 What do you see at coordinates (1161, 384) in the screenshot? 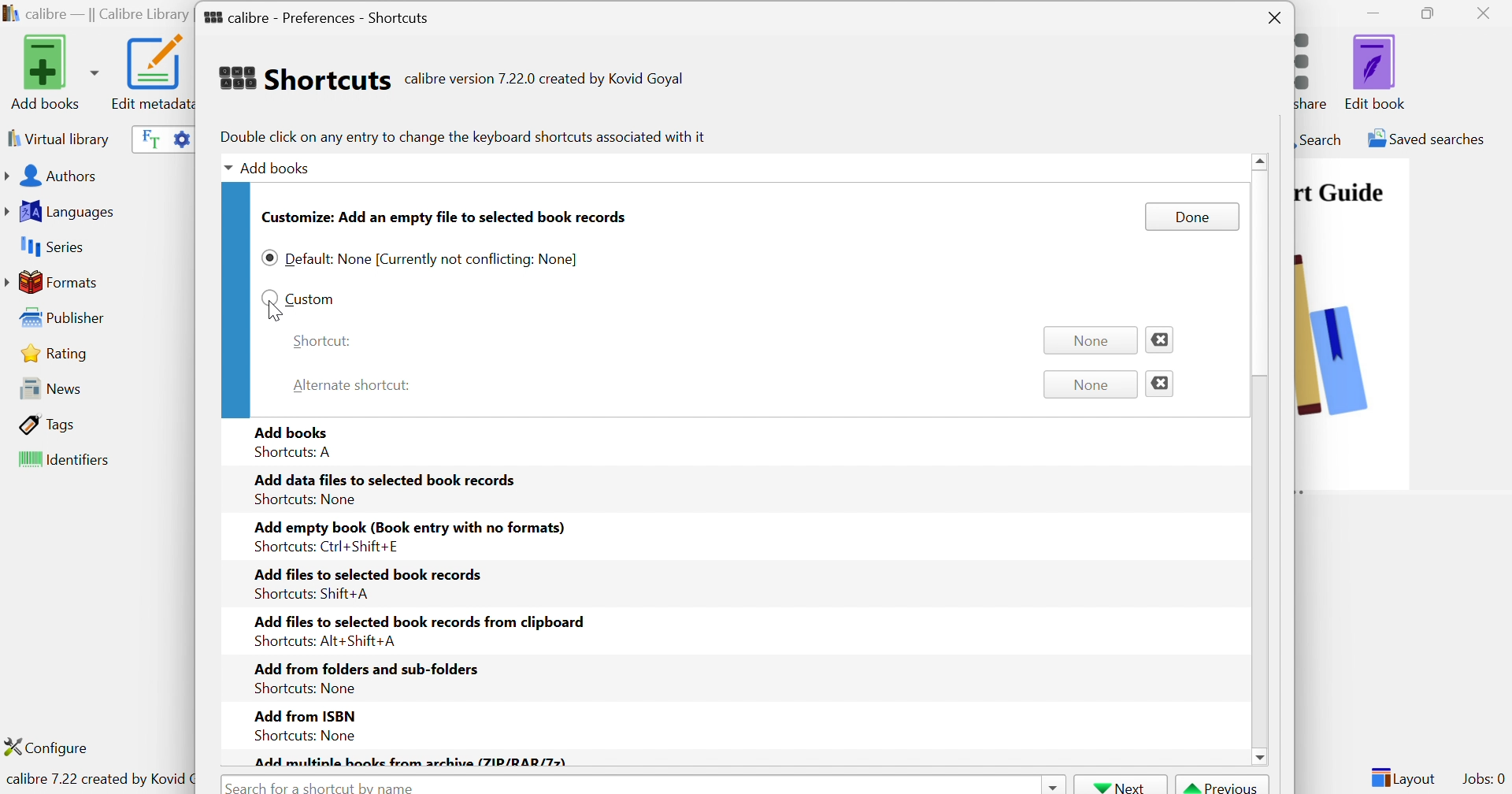
I see `Close` at bounding box center [1161, 384].